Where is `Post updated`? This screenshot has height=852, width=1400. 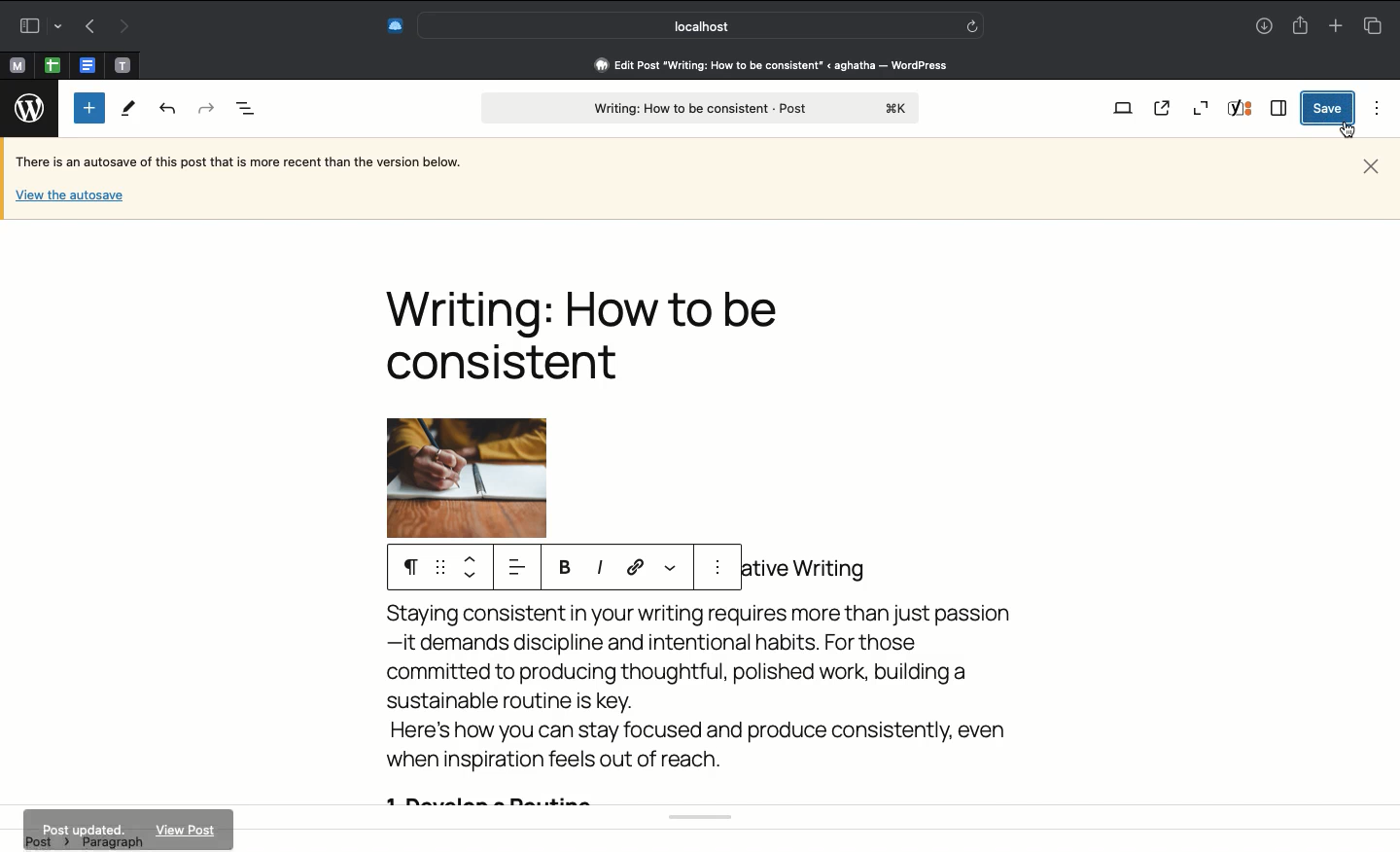
Post updated is located at coordinates (126, 830).